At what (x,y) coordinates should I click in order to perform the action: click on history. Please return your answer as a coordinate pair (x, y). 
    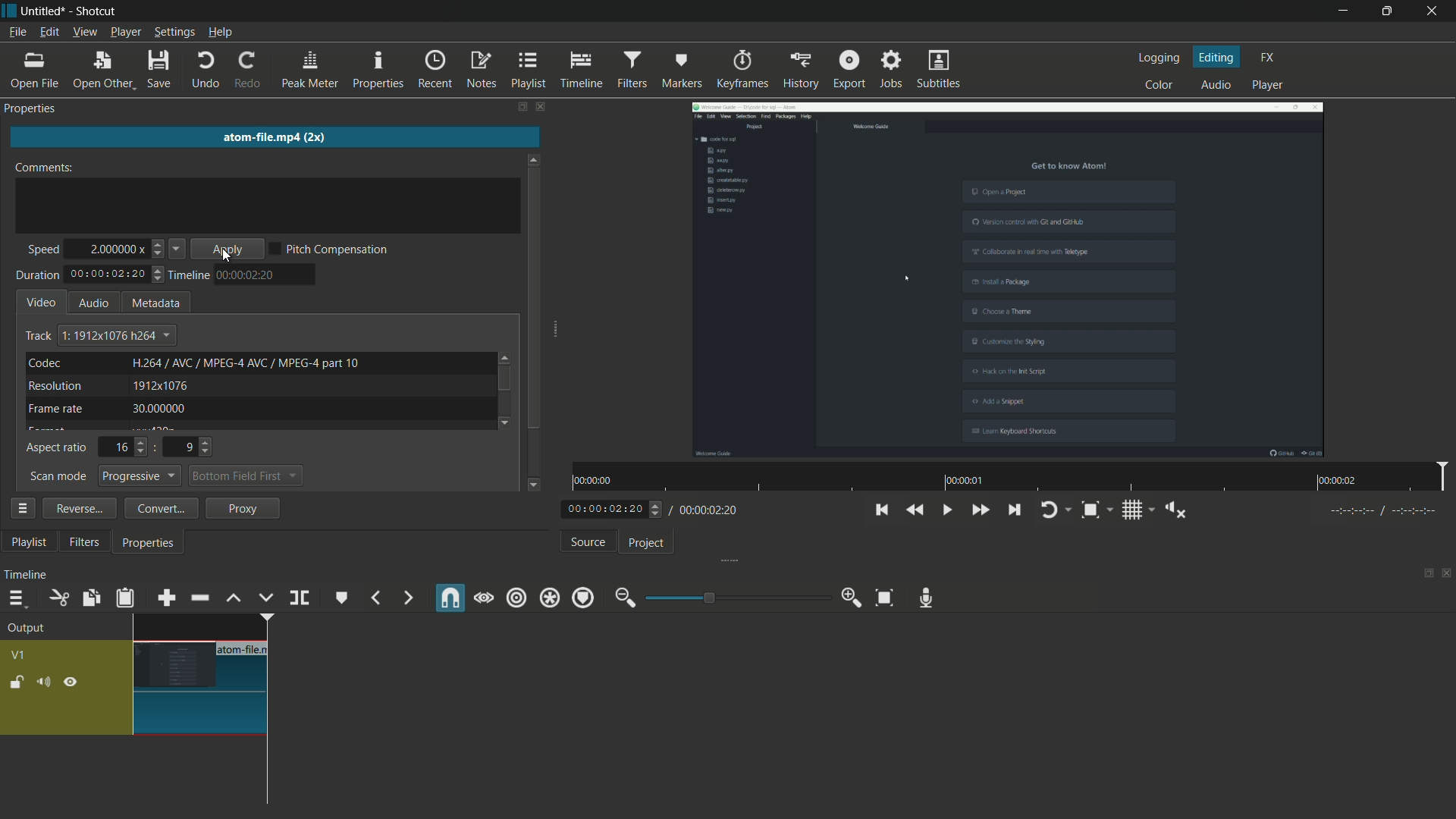
    Looking at the image, I should click on (800, 70).